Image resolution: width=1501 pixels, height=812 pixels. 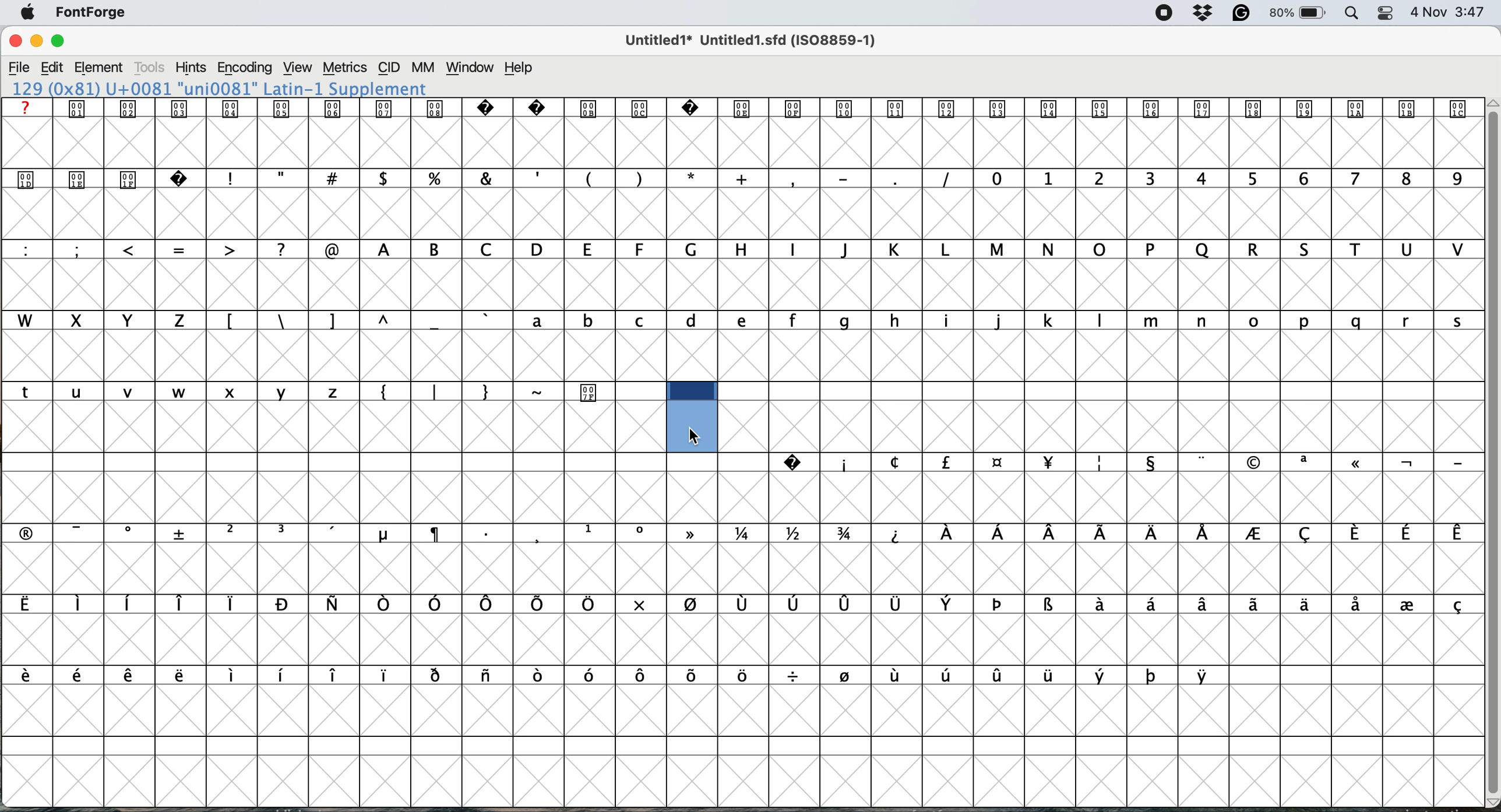 What do you see at coordinates (297, 68) in the screenshot?
I see `View` at bounding box center [297, 68].